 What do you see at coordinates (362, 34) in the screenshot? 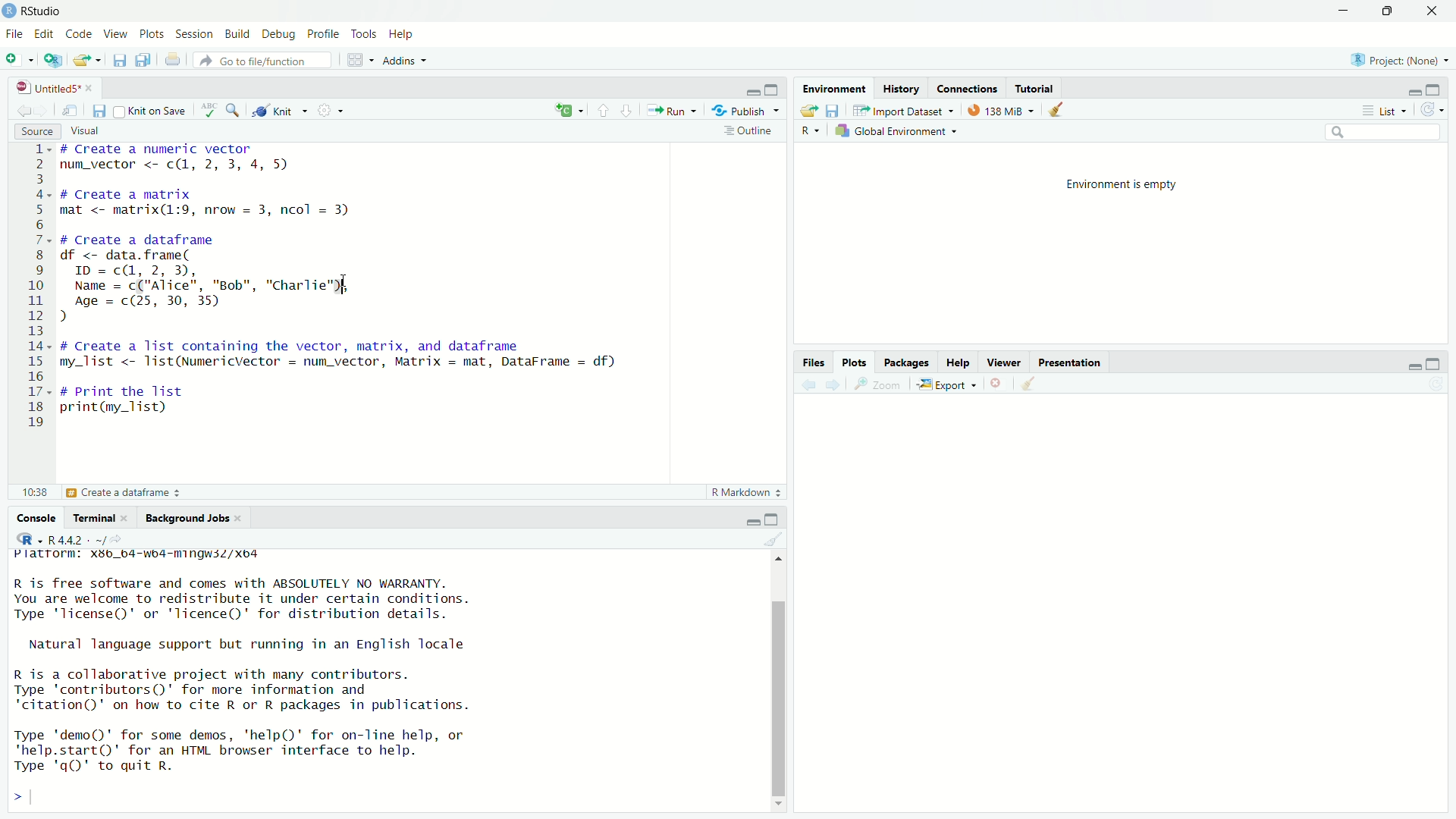
I see `Tools` at bounding box center [362, 34].